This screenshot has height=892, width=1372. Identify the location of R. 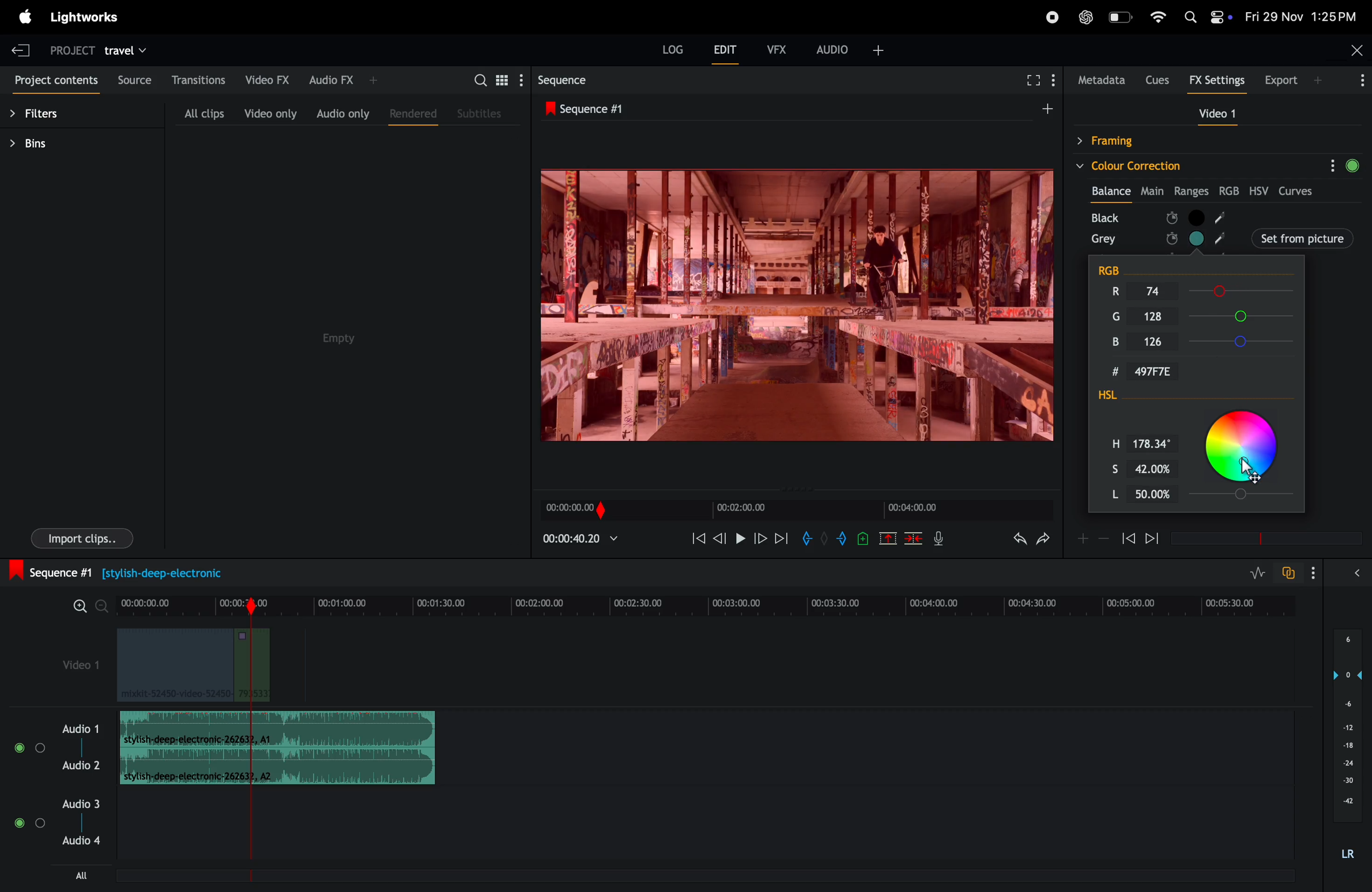
(1111, 290).